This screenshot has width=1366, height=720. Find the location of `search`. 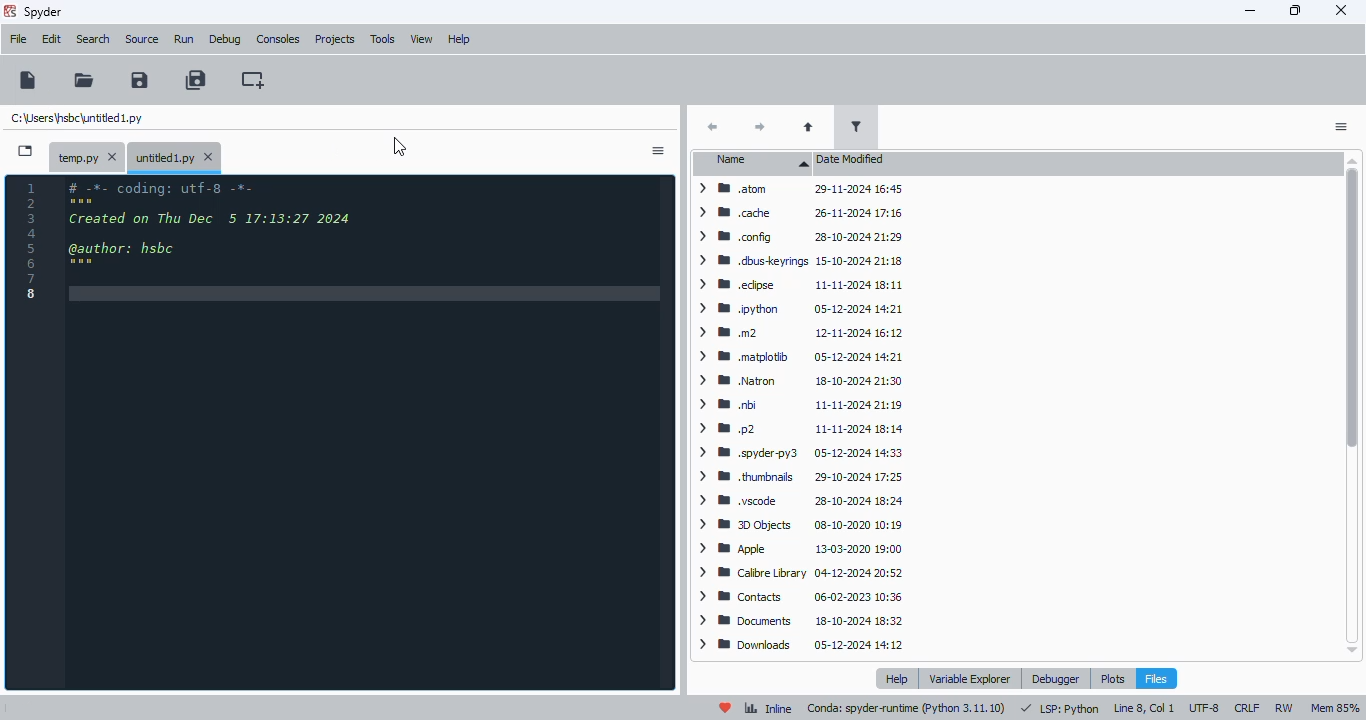

search is located at coordinates (94, 39).